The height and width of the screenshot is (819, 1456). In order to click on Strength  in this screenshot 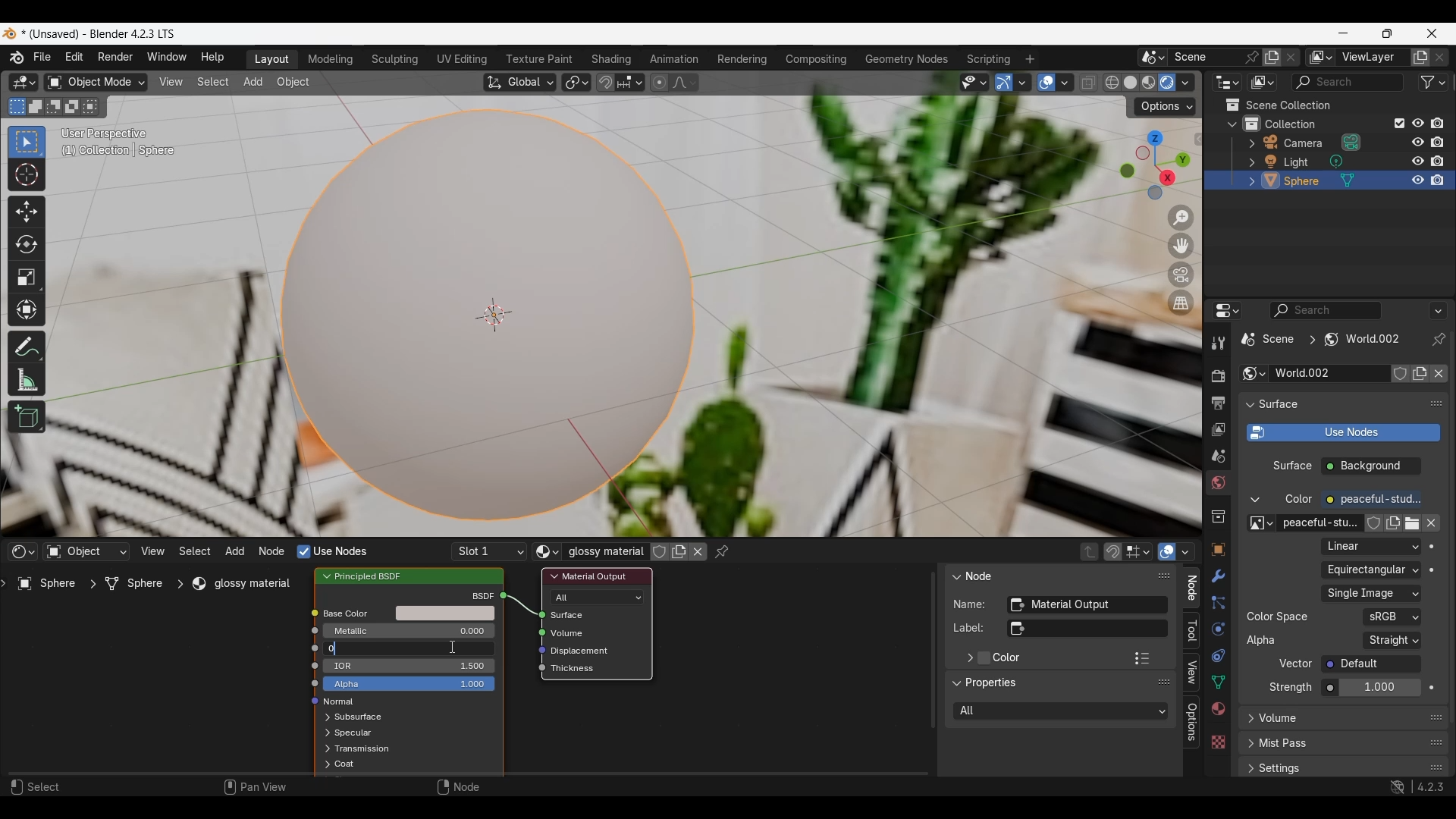, I will do `click(1291, 687)`.